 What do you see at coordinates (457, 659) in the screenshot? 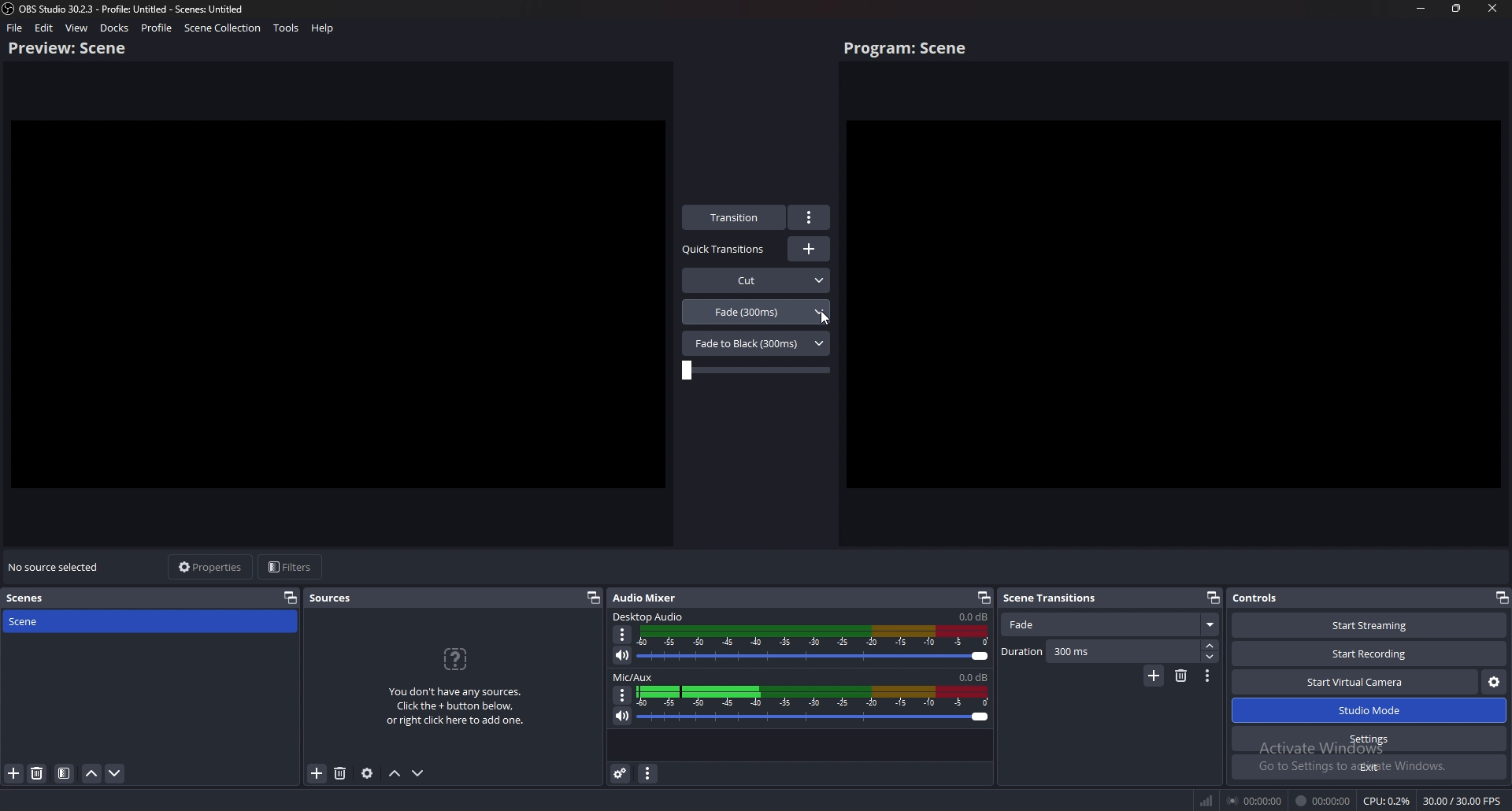
I see `question icon` at bounding box center [457, 659].